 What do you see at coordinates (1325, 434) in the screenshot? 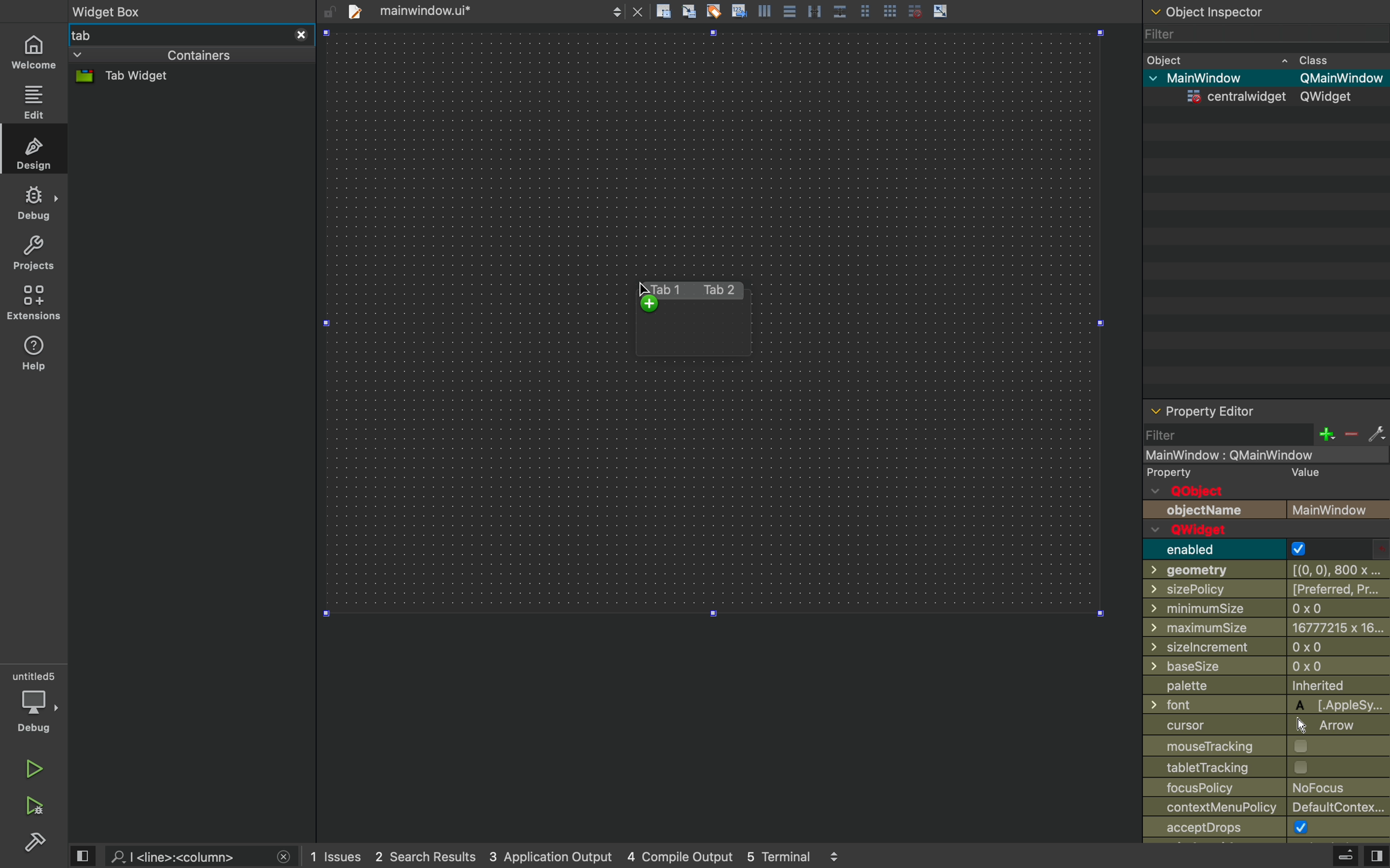
I see `plus` at bounding box center [1325, 434].